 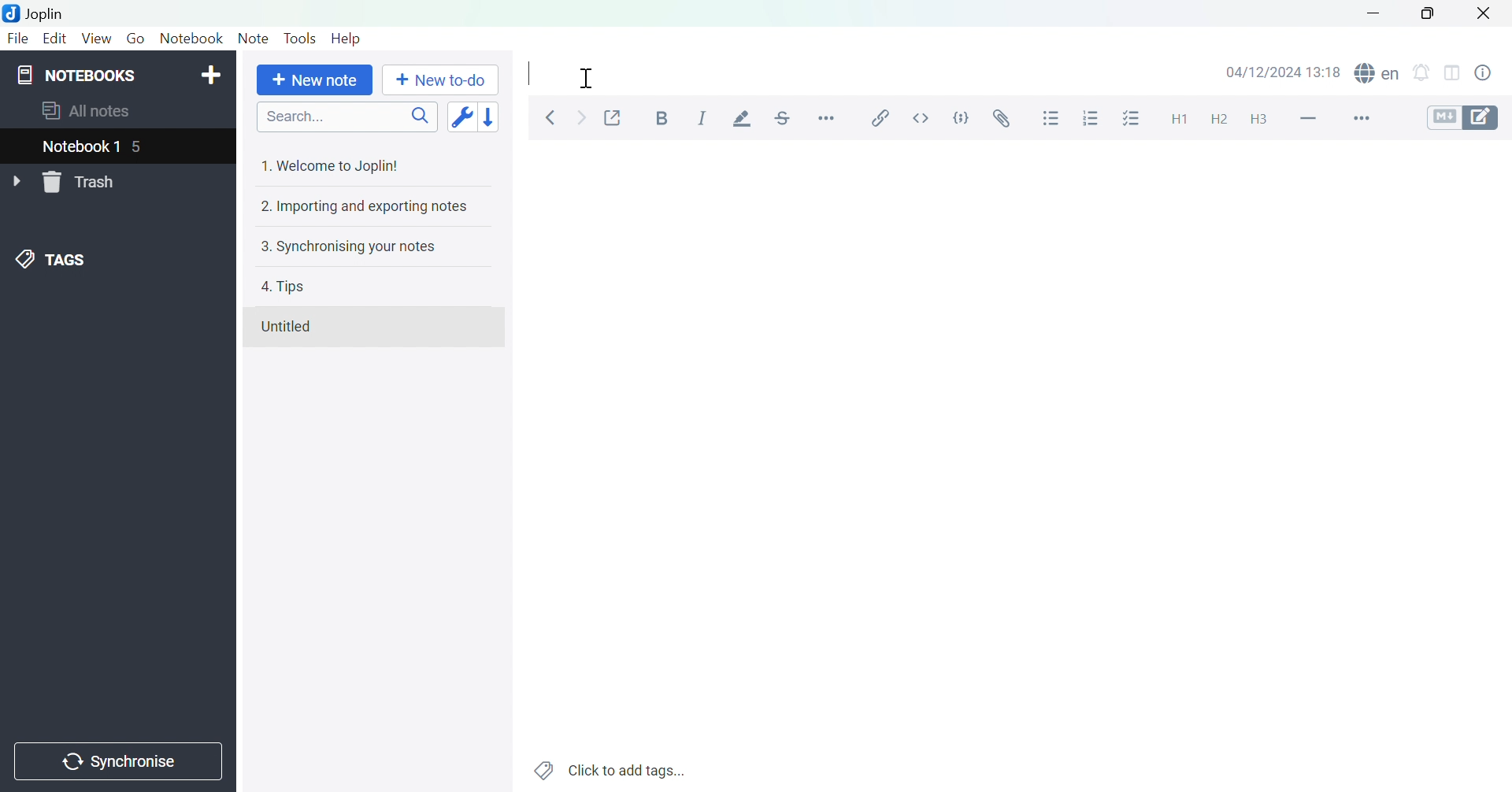 I want to click on Drop Down, so click(x=16, y=179).